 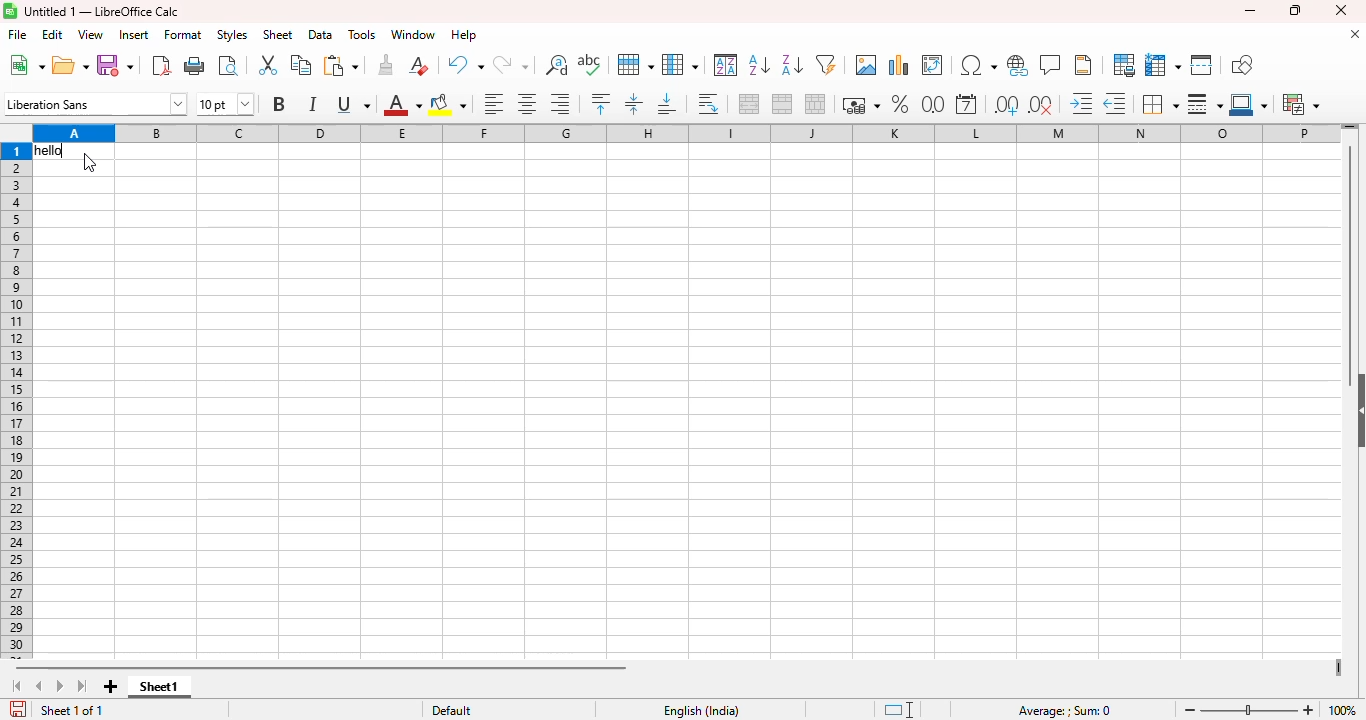 I want to click on file, so click(x=18, y=34).